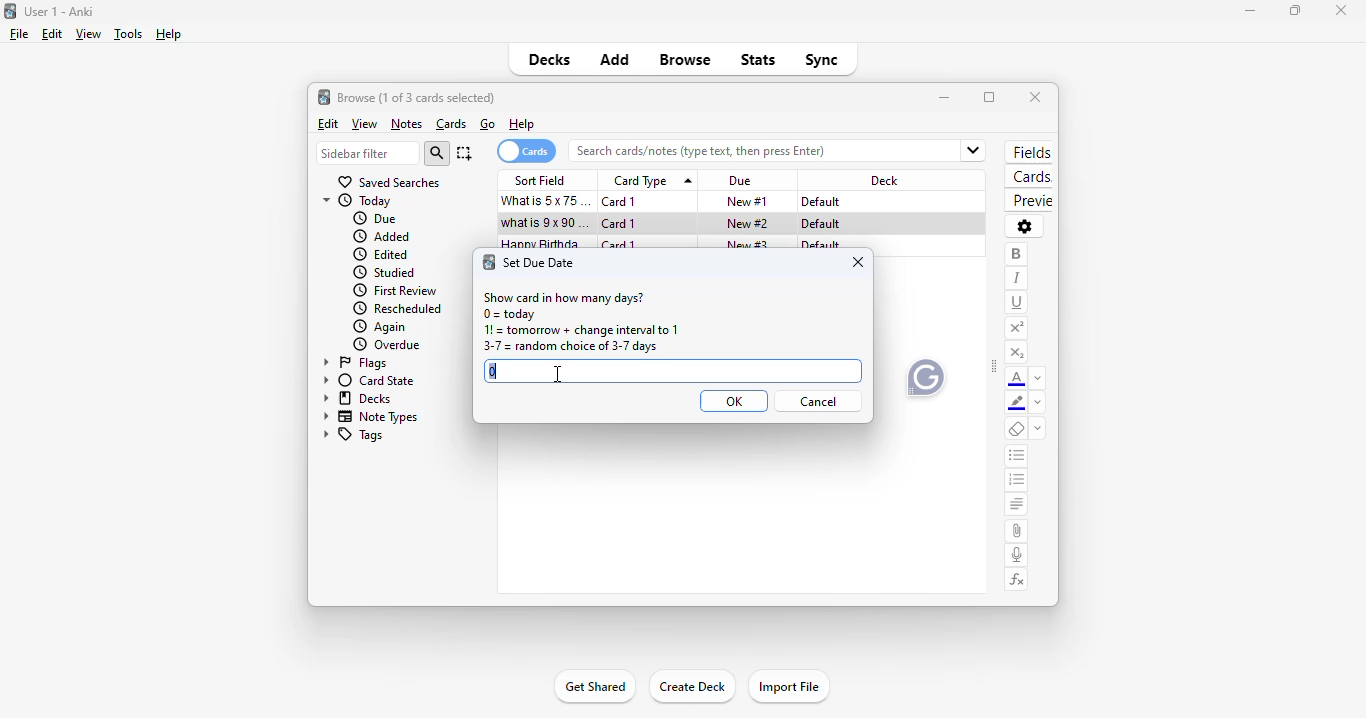 Image resolution: width=1366 pixels, height=718 pixels. Describe the element at coordinates (1295, 11) in the screenshot. I see `maximize` at that location.